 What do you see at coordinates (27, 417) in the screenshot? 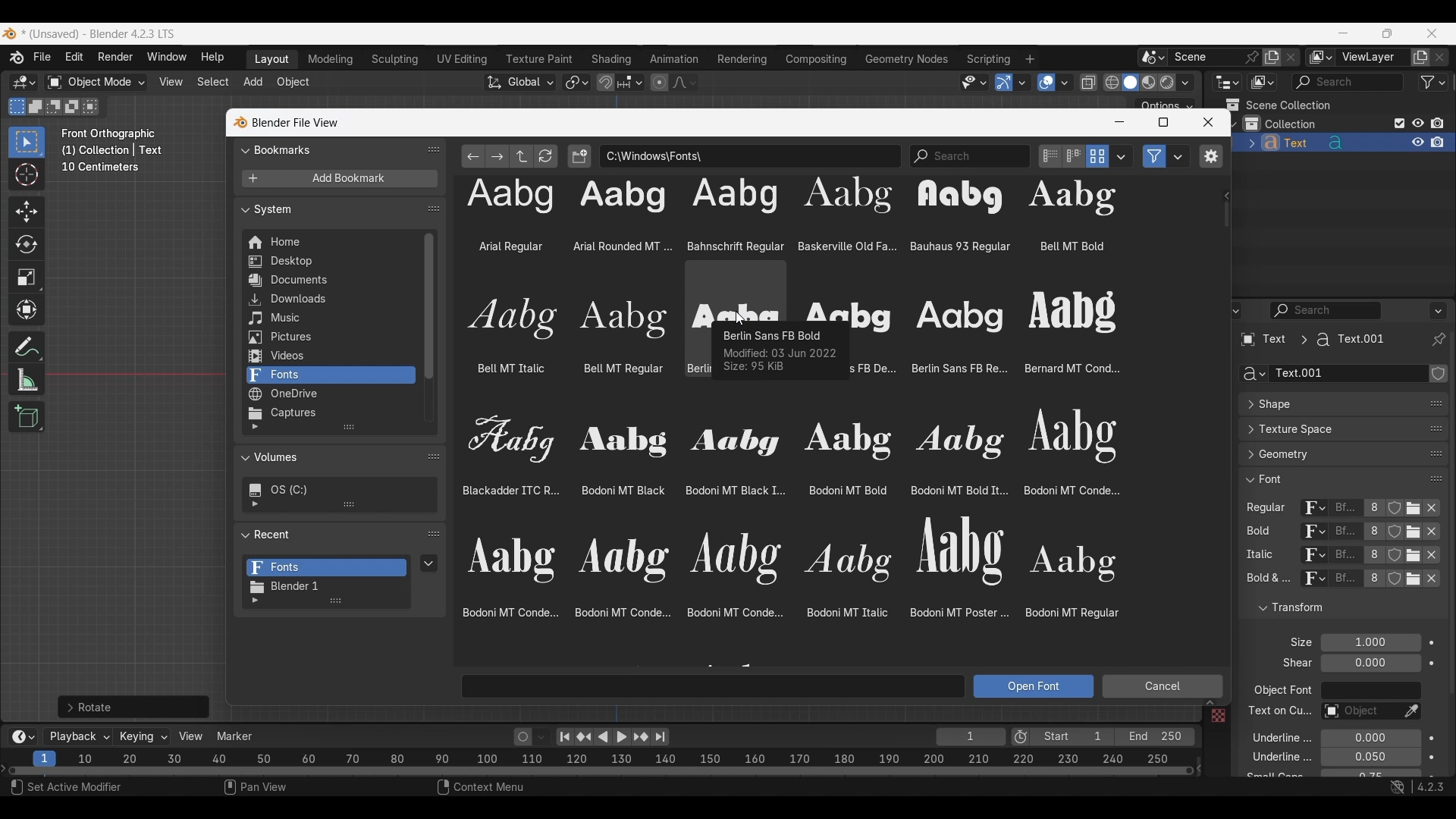
I see `Add cube` at bounding box center [27, 417].